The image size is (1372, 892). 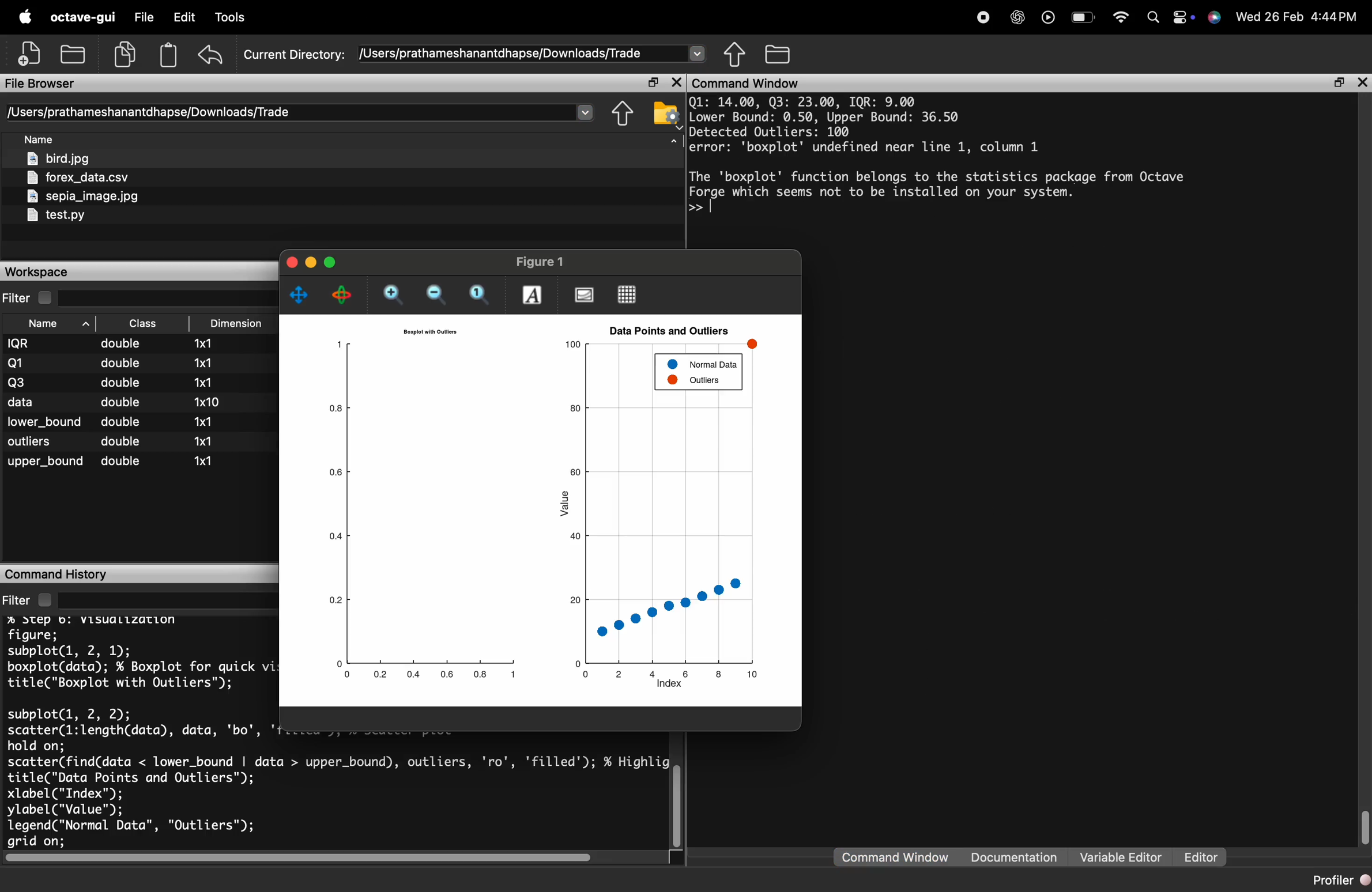 I want to click on open in separate window, so click(x=1340, y=84).